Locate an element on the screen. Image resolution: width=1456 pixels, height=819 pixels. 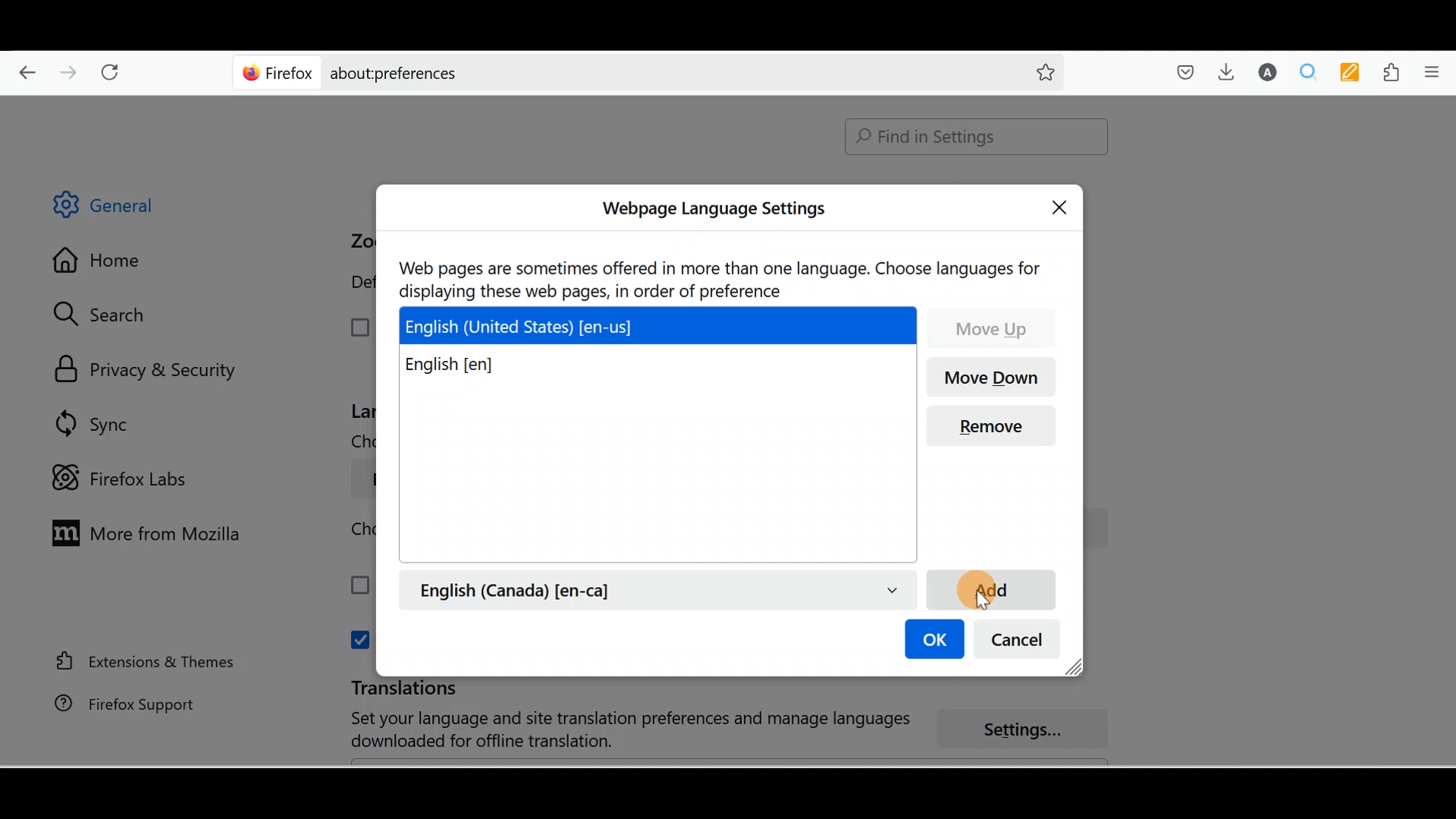
Firefox labs is located at coordinates (124, 479).